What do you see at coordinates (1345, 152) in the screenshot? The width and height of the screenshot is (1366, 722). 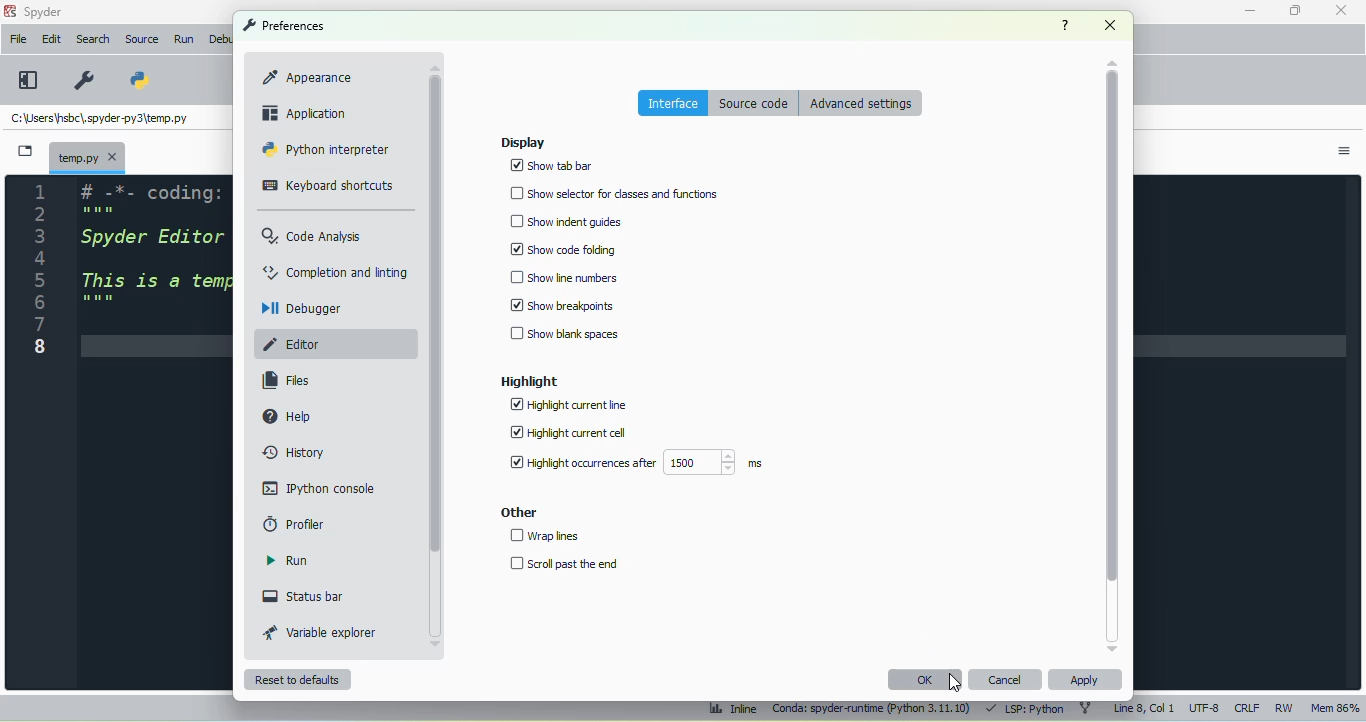 I see `options` at bounding box center [1345, 152].